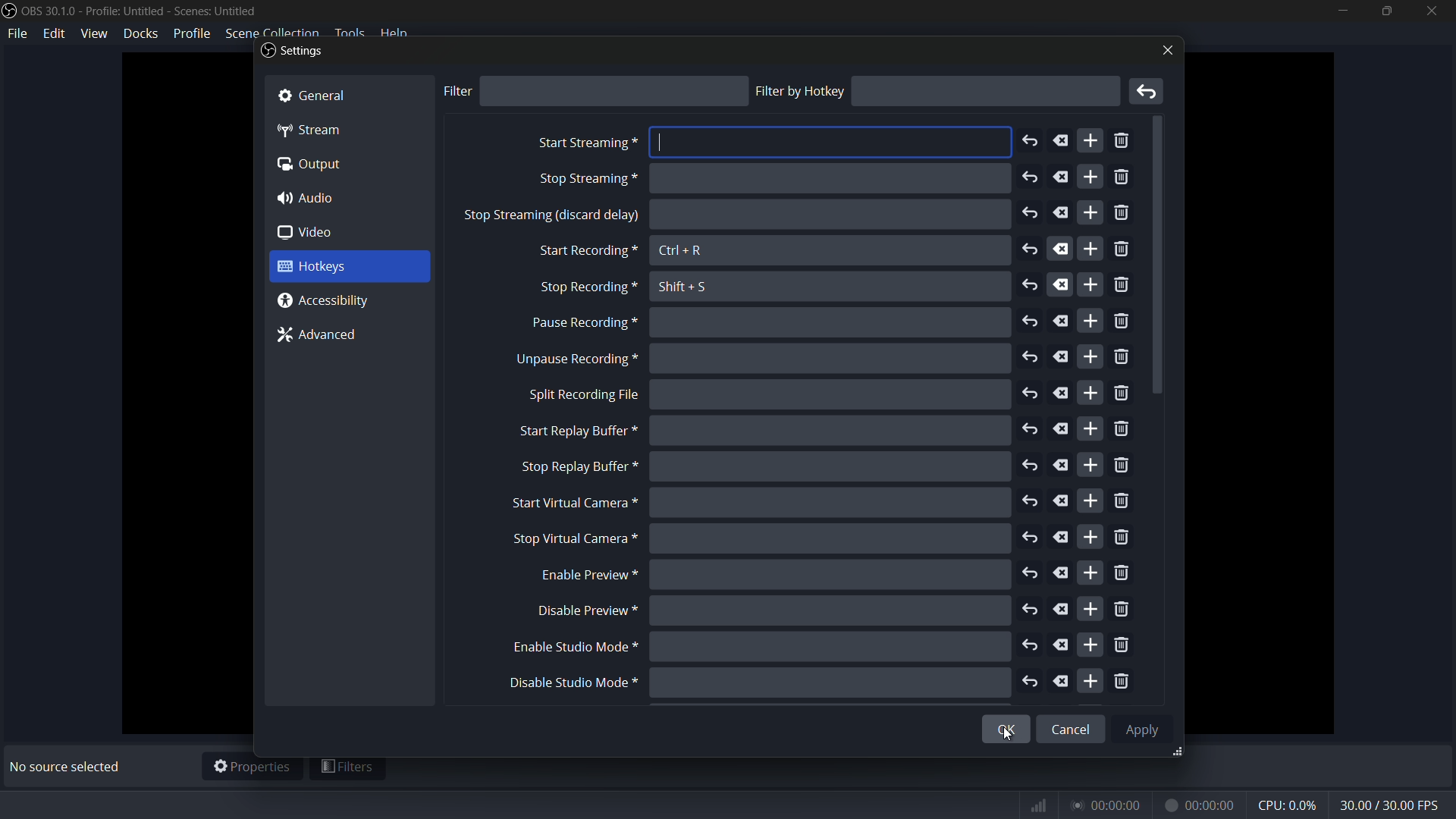 This screenshot has height=819, width=1456. I want to click on remove, so click(1125, 394).